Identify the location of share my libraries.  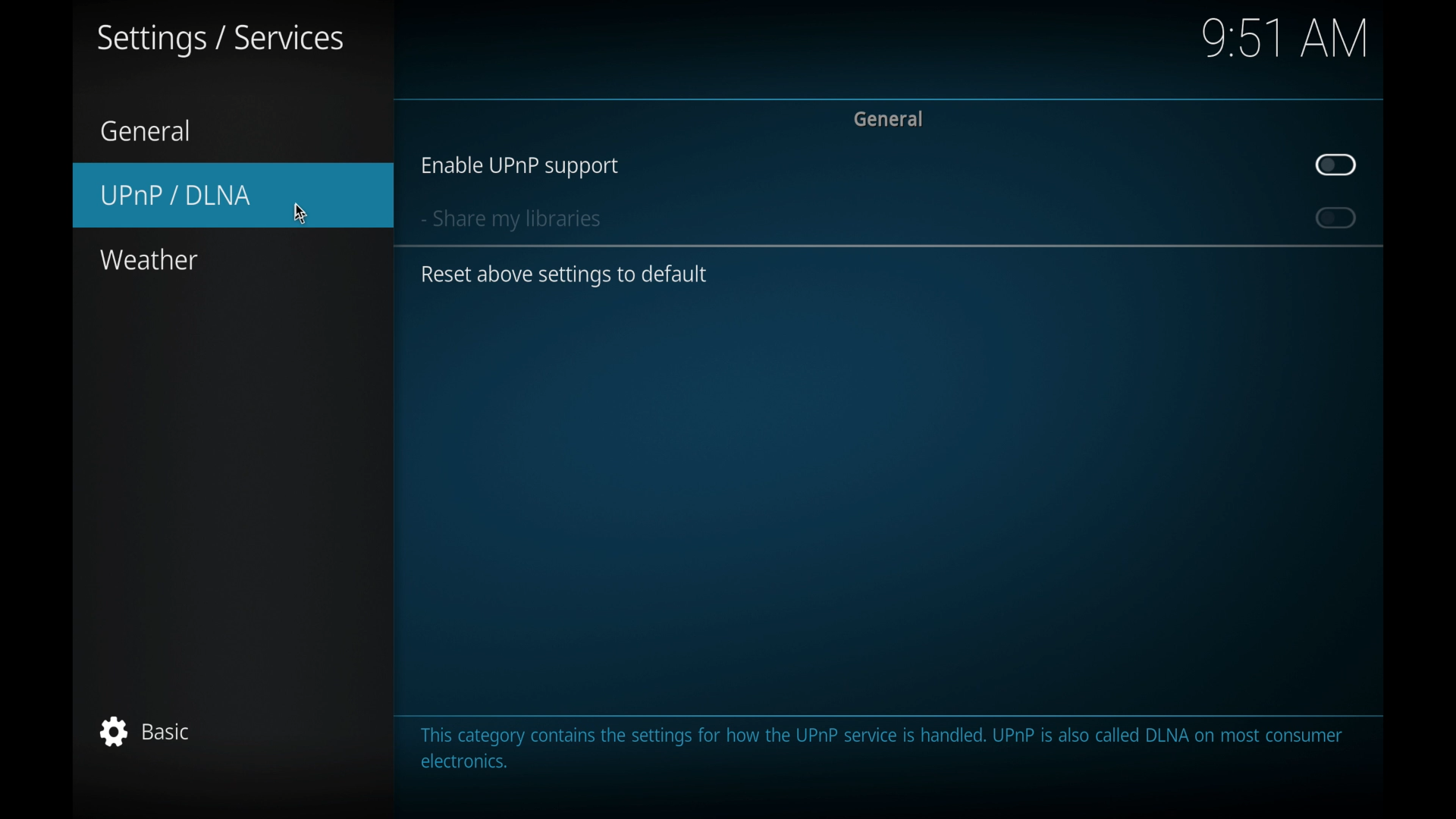
(510, 221).